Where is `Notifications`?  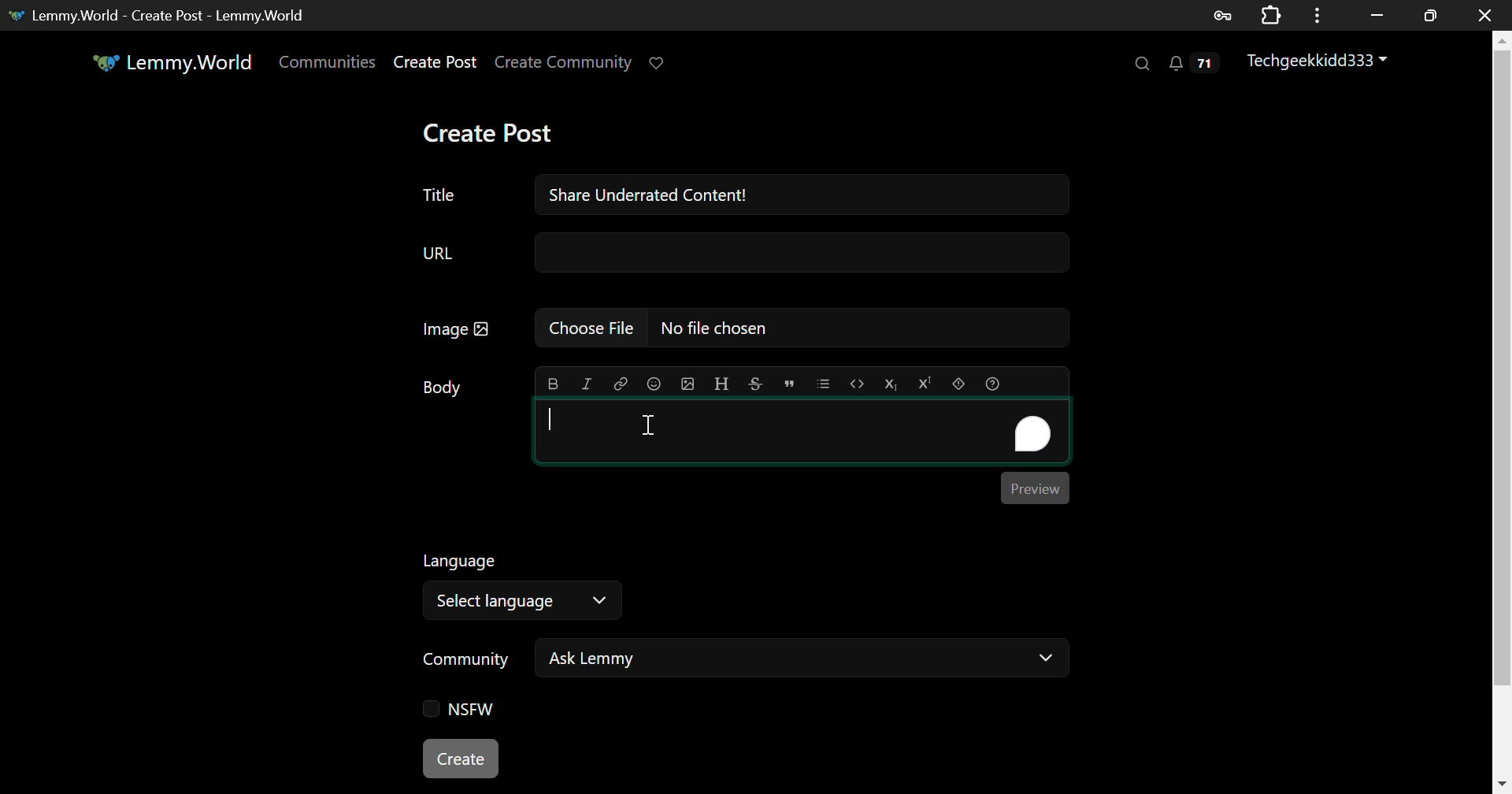
Notifications is located at coordinates (1197, 64).